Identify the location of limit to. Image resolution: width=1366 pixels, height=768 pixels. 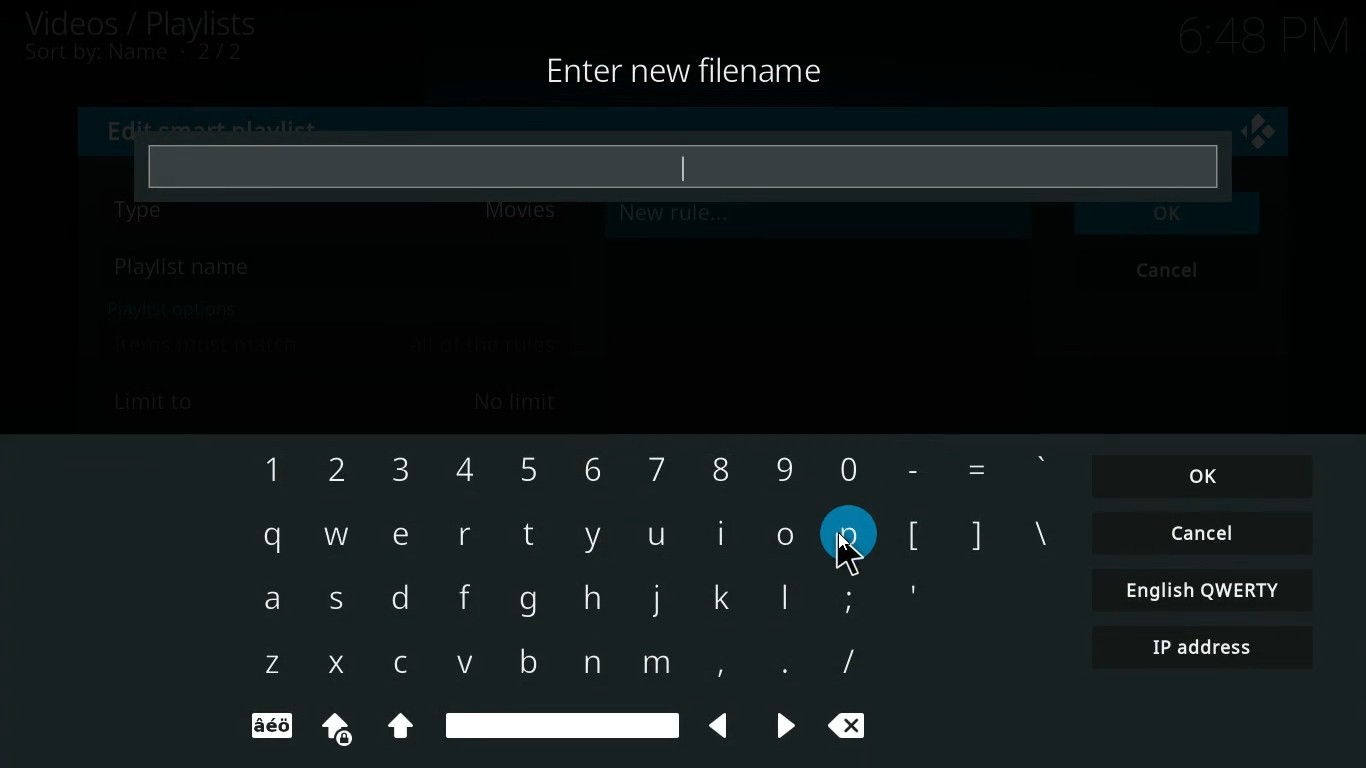
(339, 400).